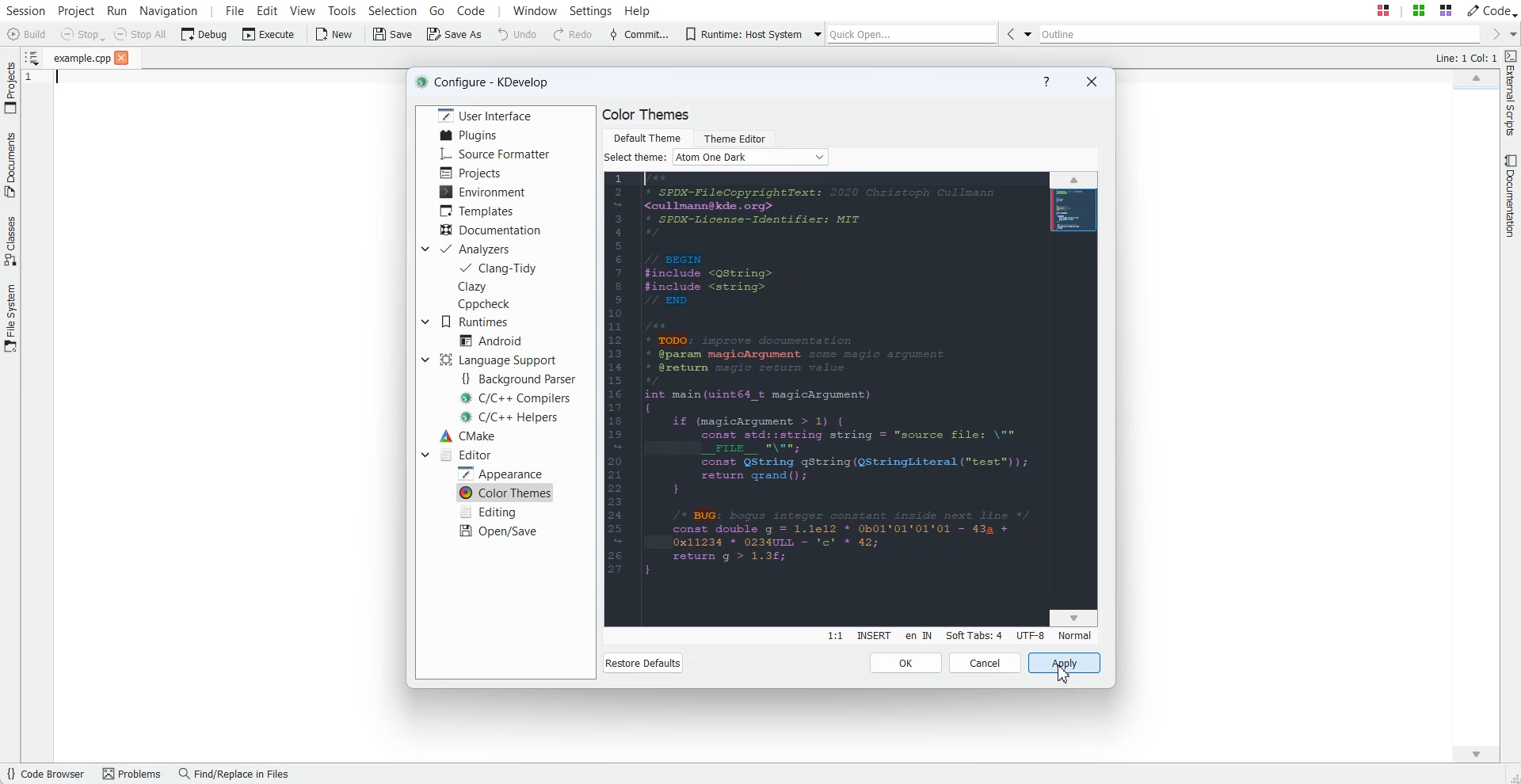 This screenshot has height=784, width=1521. Describe the element at coordinates (482, 115) in the screenshot. I see `User Interface` at that location.